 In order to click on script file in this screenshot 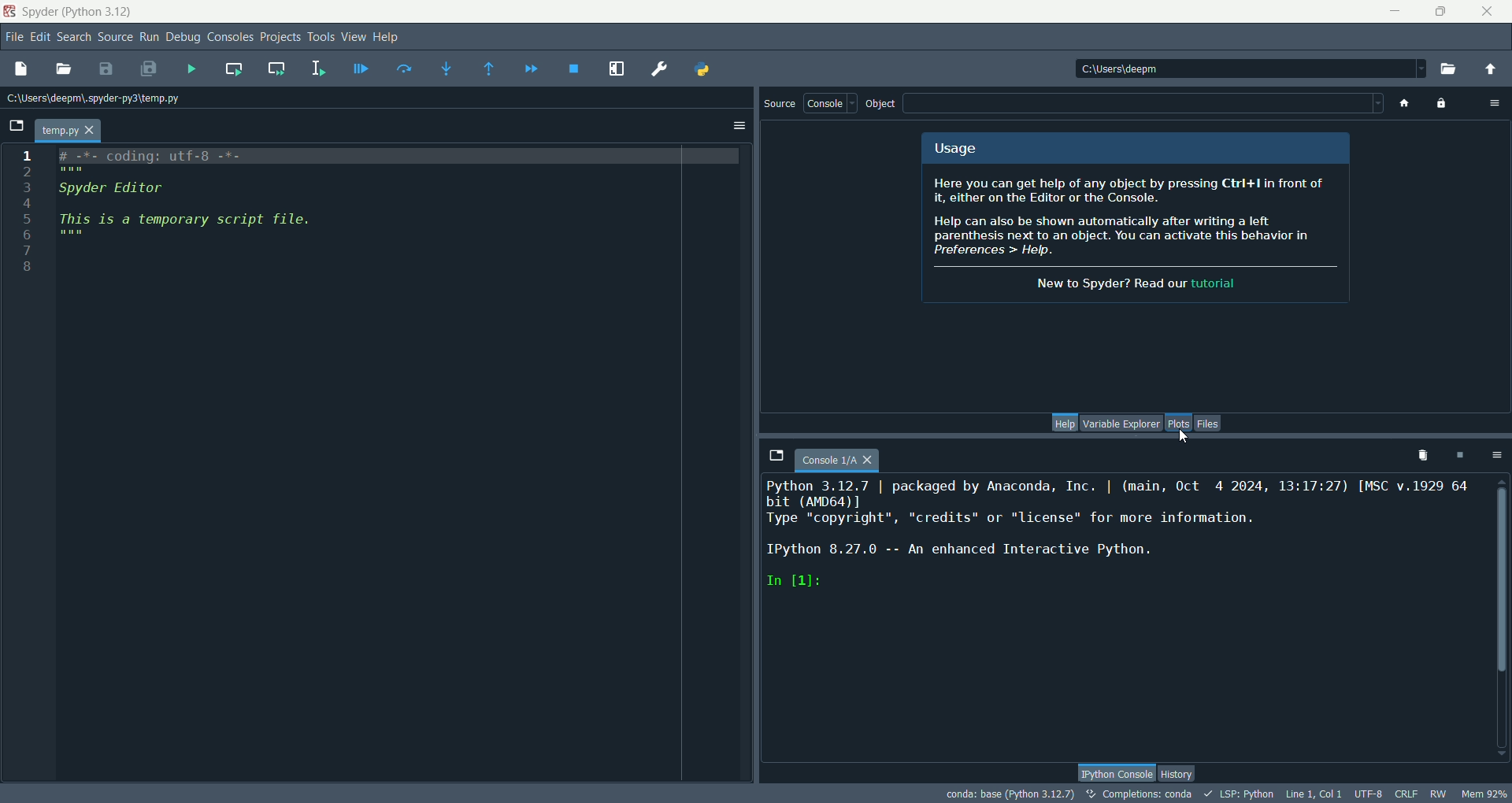, I will do `click(228, 213)`.